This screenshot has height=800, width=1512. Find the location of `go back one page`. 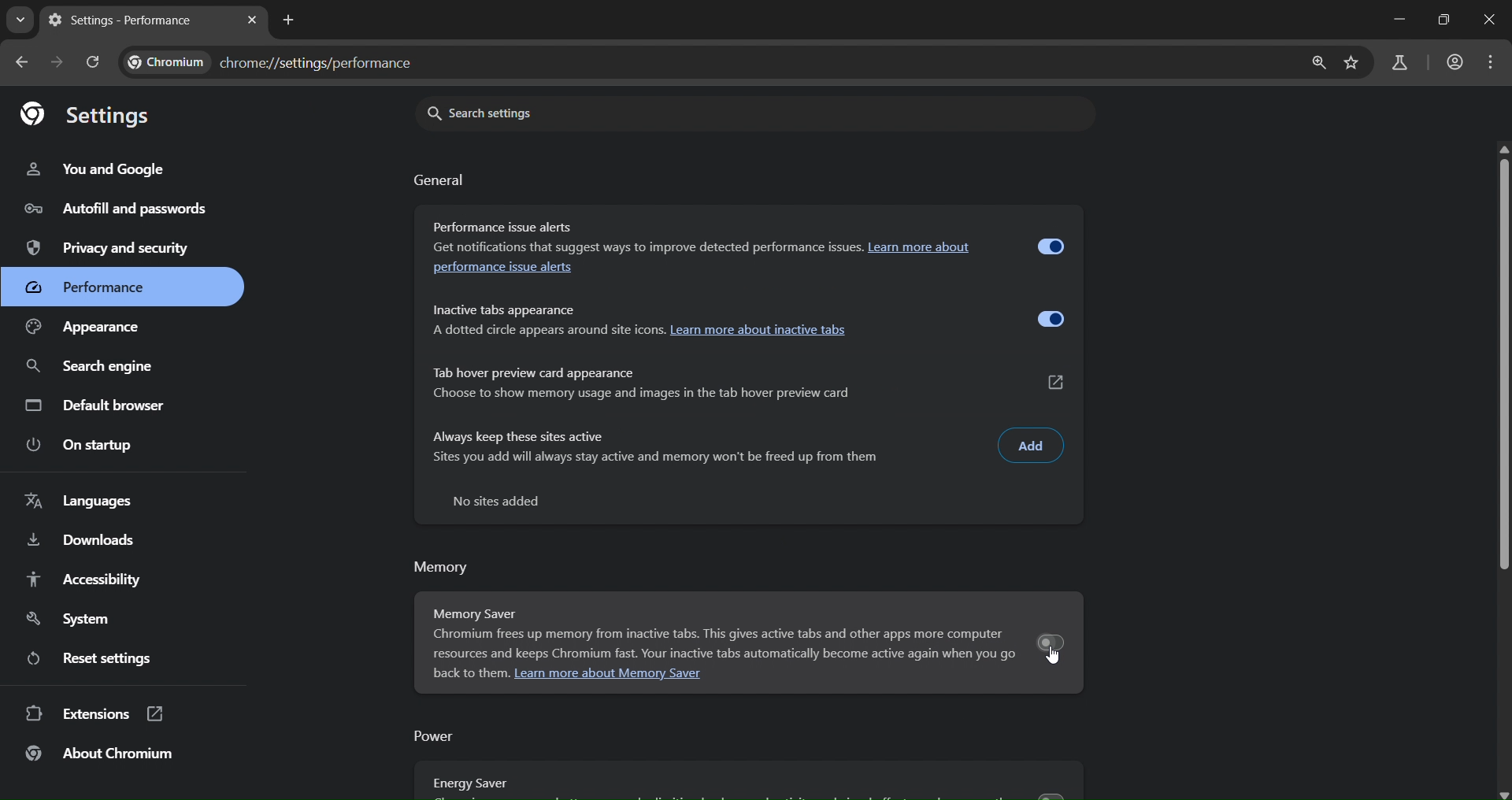

go back one page is located at coordinates (27, 61).